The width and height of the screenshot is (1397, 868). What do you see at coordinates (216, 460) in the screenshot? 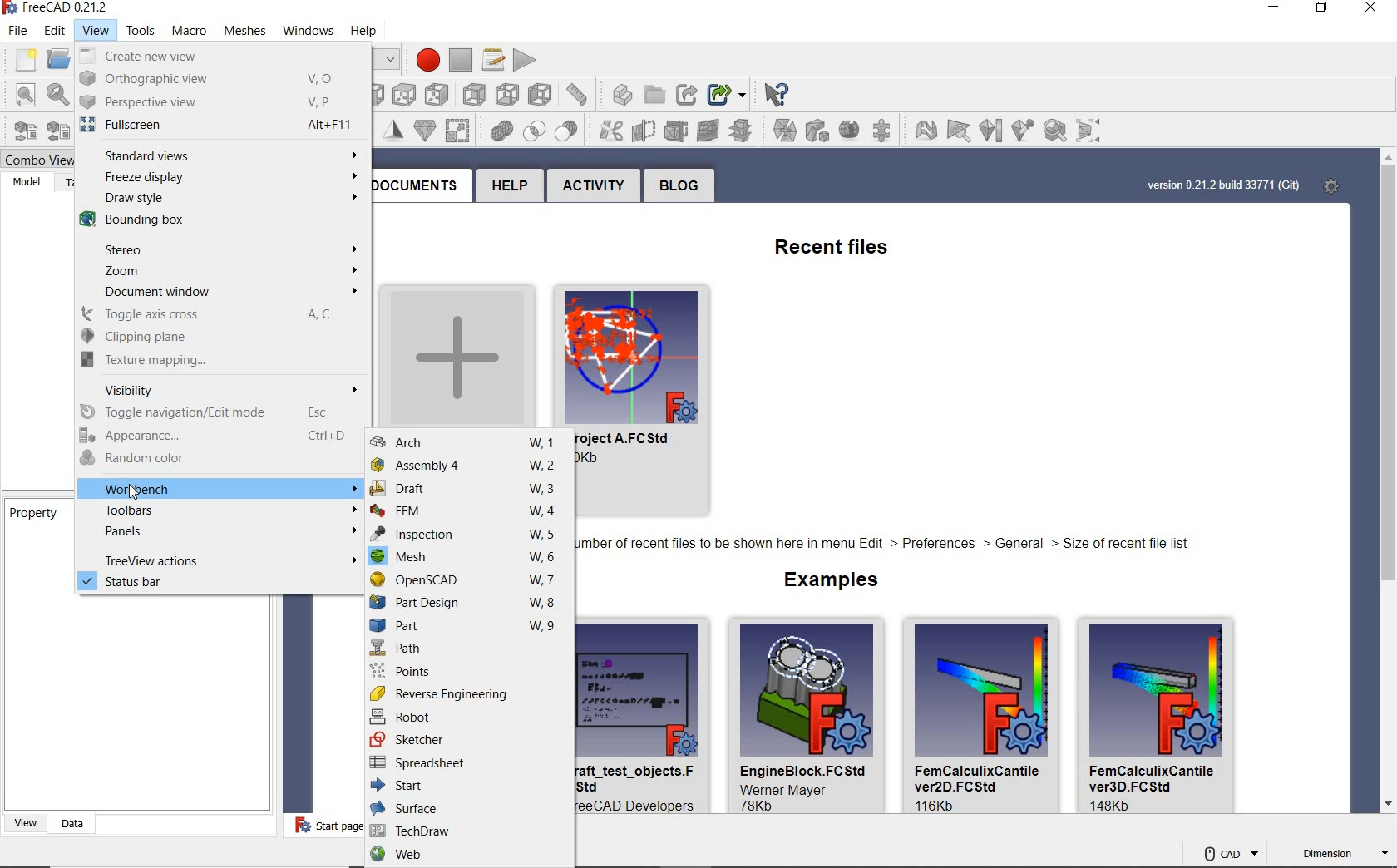
I see `random color` at bounding box center [216, 460].